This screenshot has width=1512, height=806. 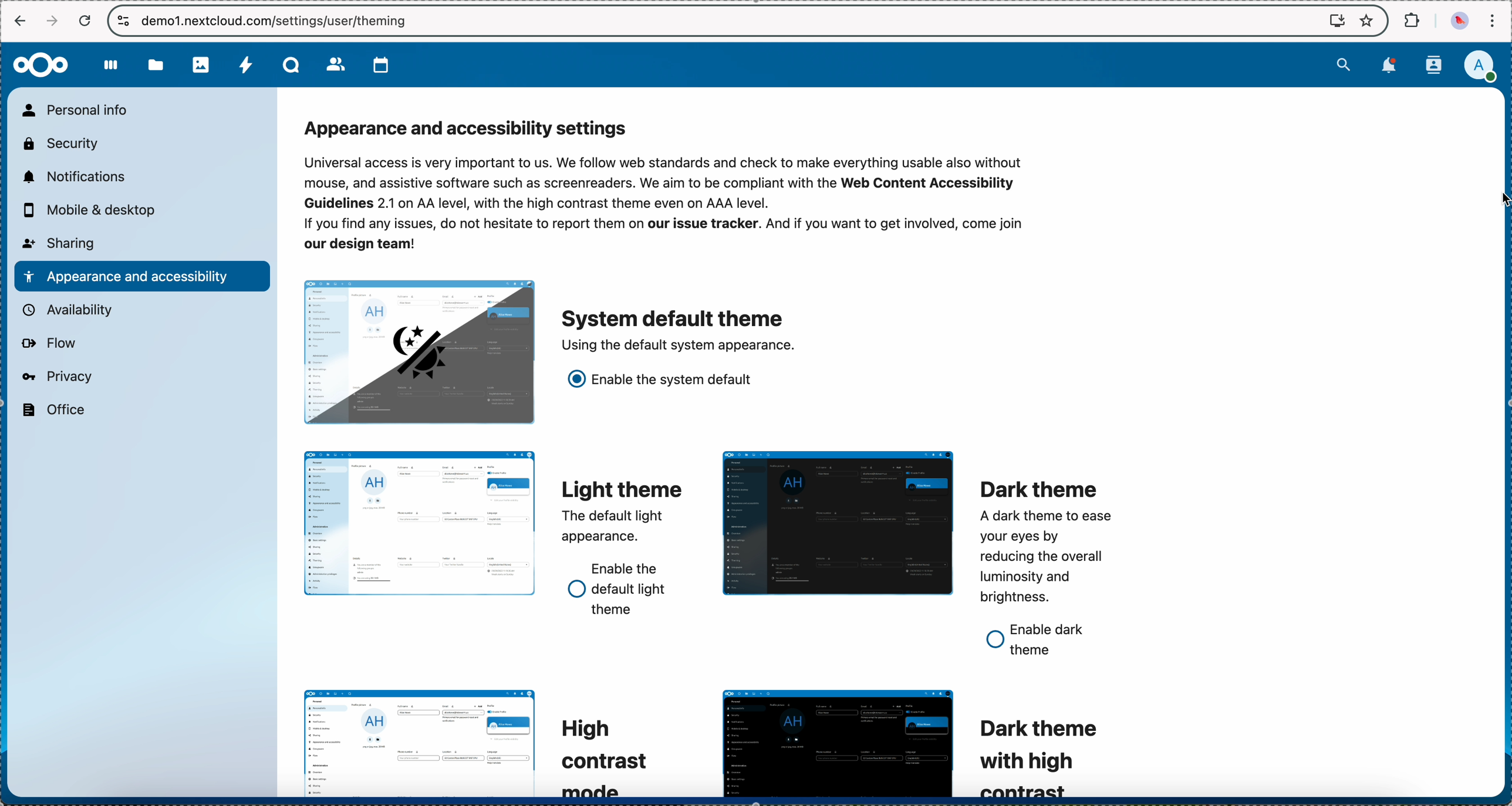 What do you see at coordinates (668, 205) in the screenshot?
I see `description` at bounding box center [668, 205].